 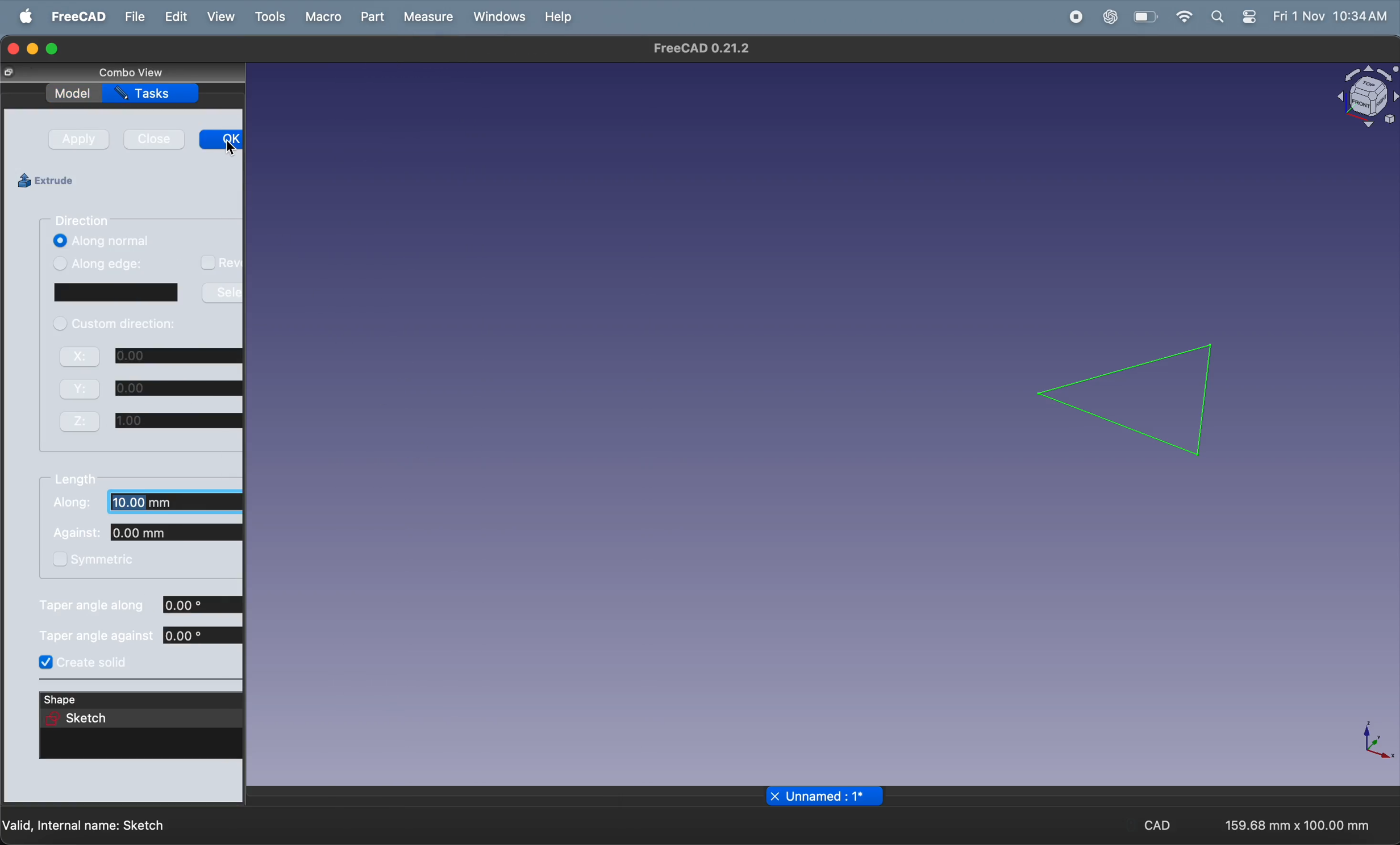 I want to click on combo view, so click(x=129, y=70).